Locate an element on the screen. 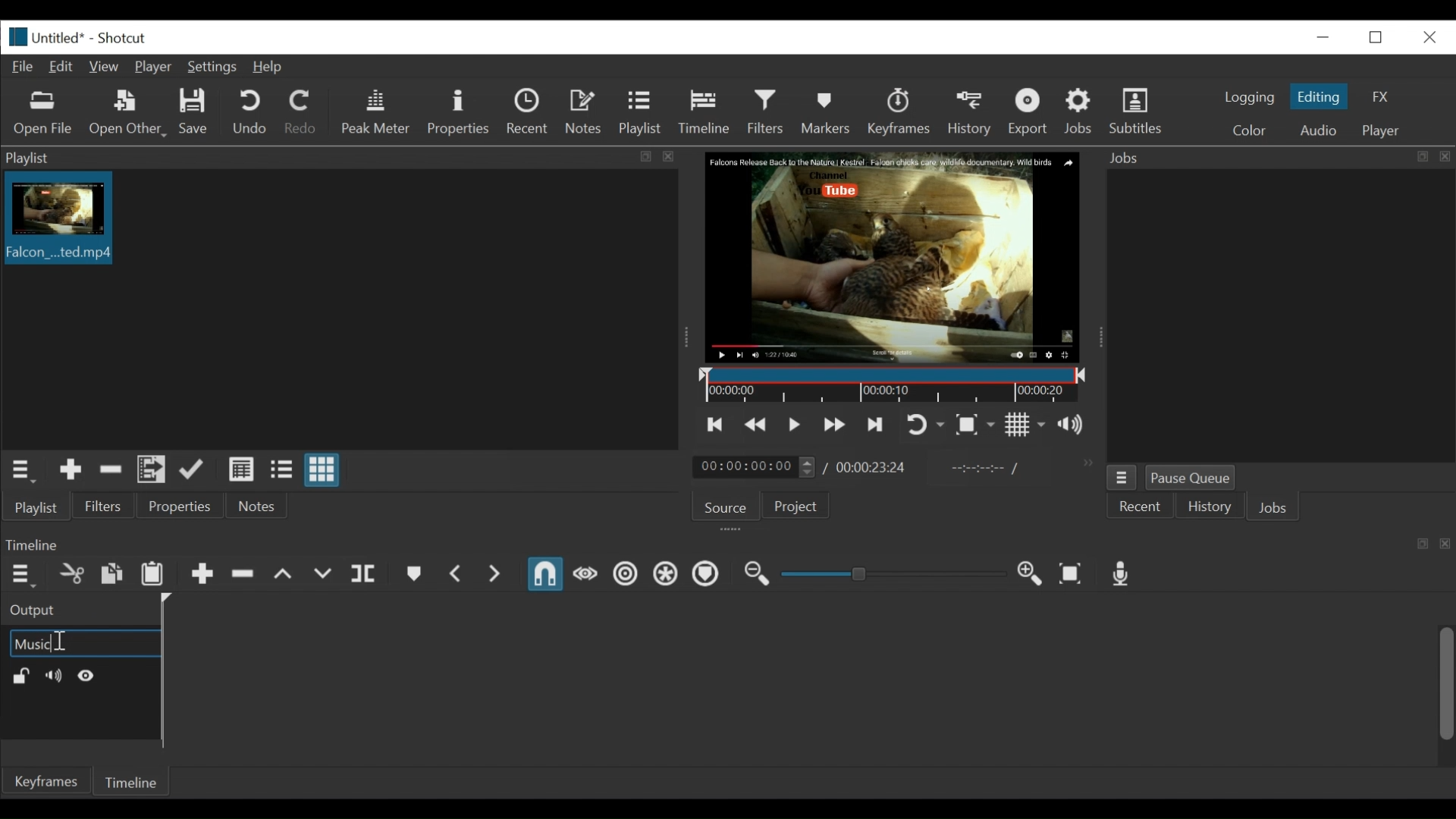  Timeline is located at coordinates (893, 385).